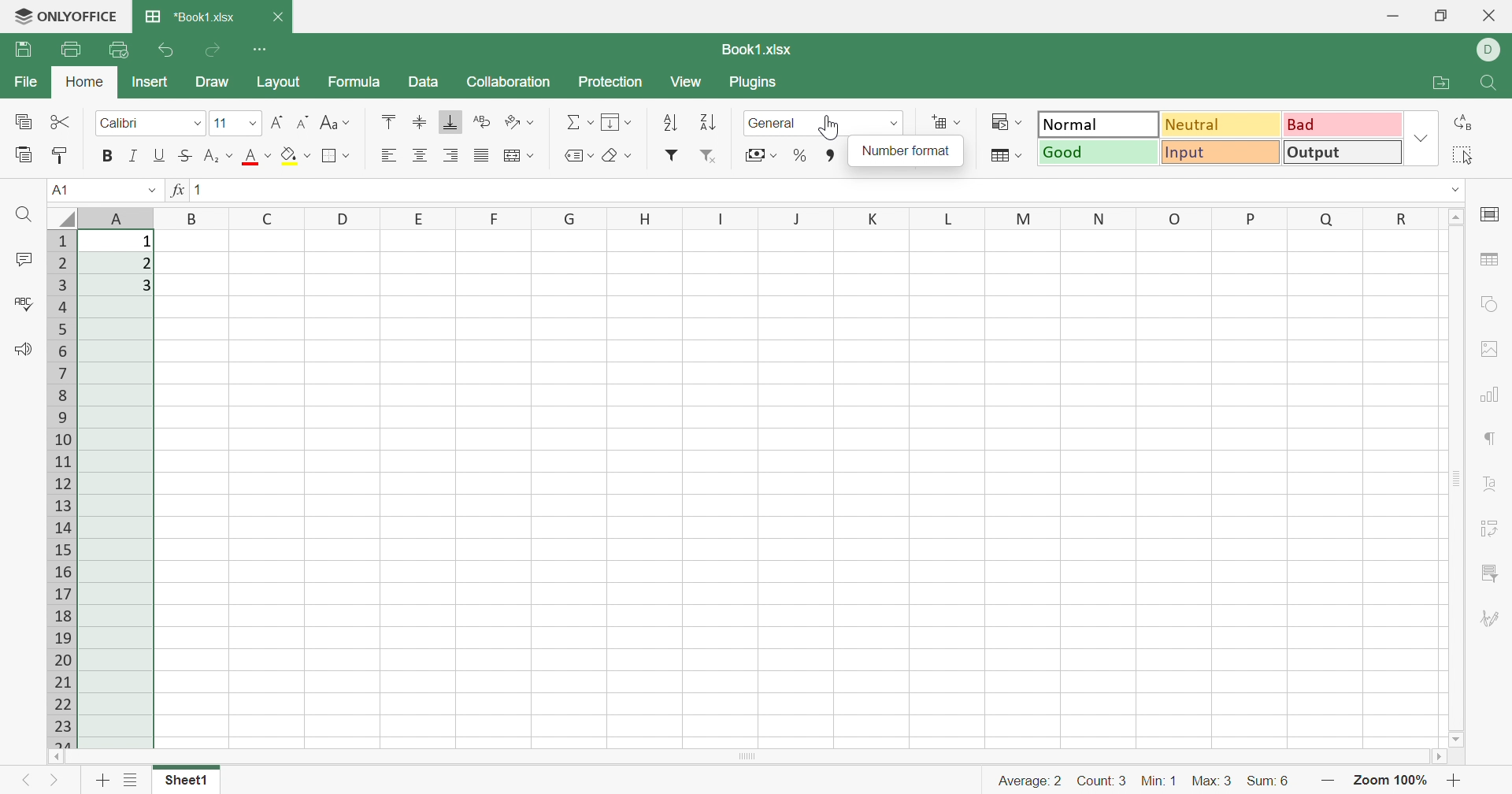 This screenshot has width=1512, height=794. Describe the element at coordinates (18, 17) in the screenshot. I see `logo` at that location.